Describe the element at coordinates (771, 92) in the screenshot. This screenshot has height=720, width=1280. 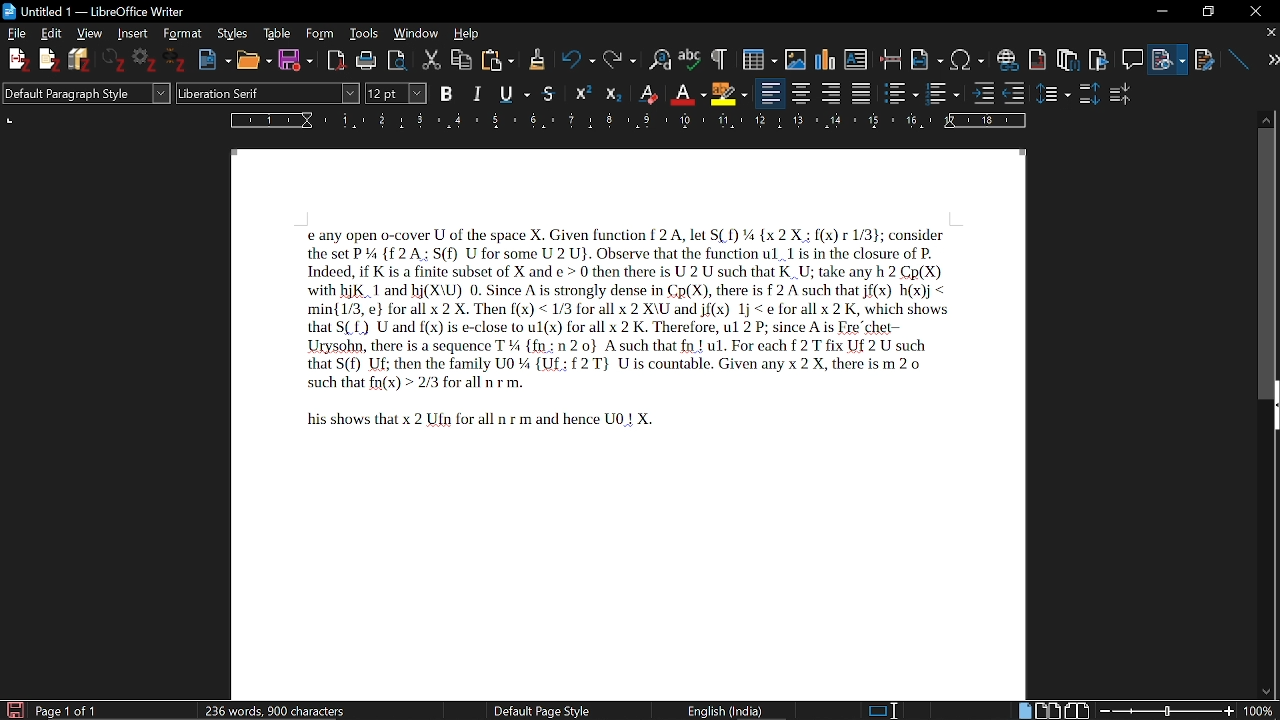
I see `align left` at that location.